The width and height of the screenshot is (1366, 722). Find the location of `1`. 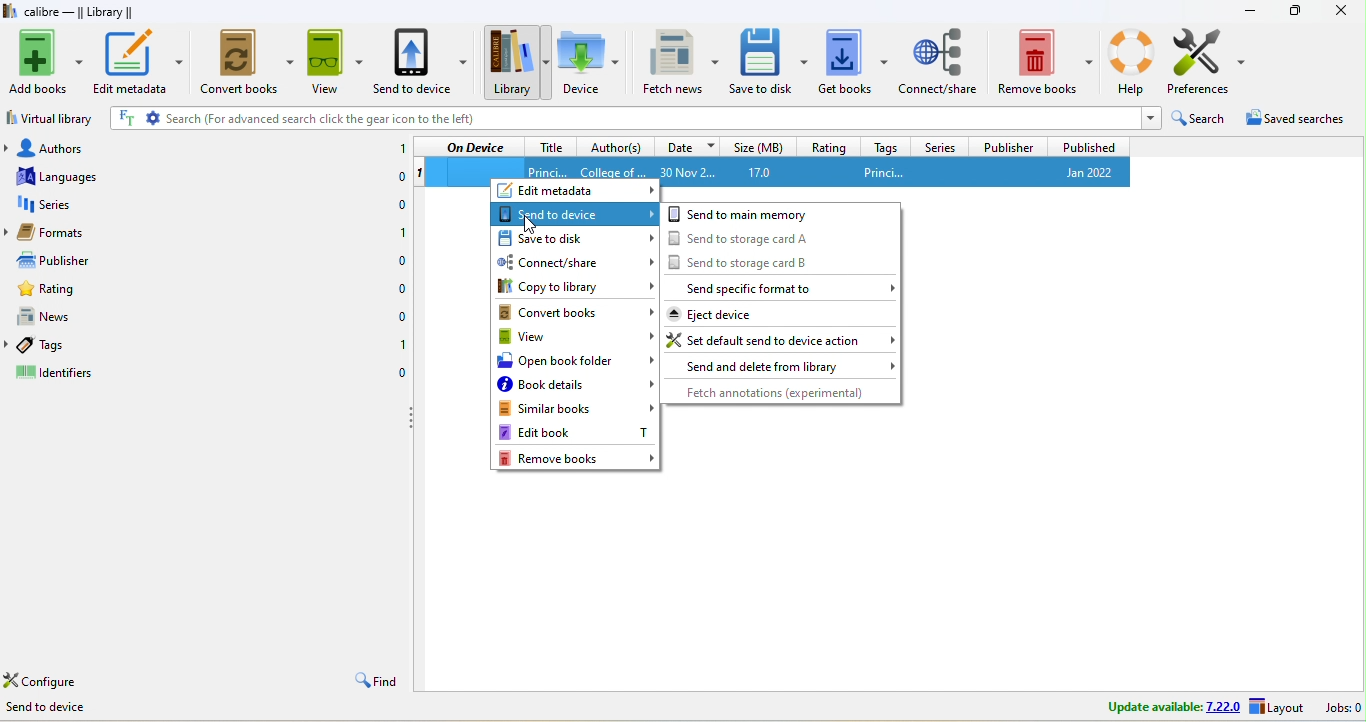

1 is located at coordinates (399, 149).